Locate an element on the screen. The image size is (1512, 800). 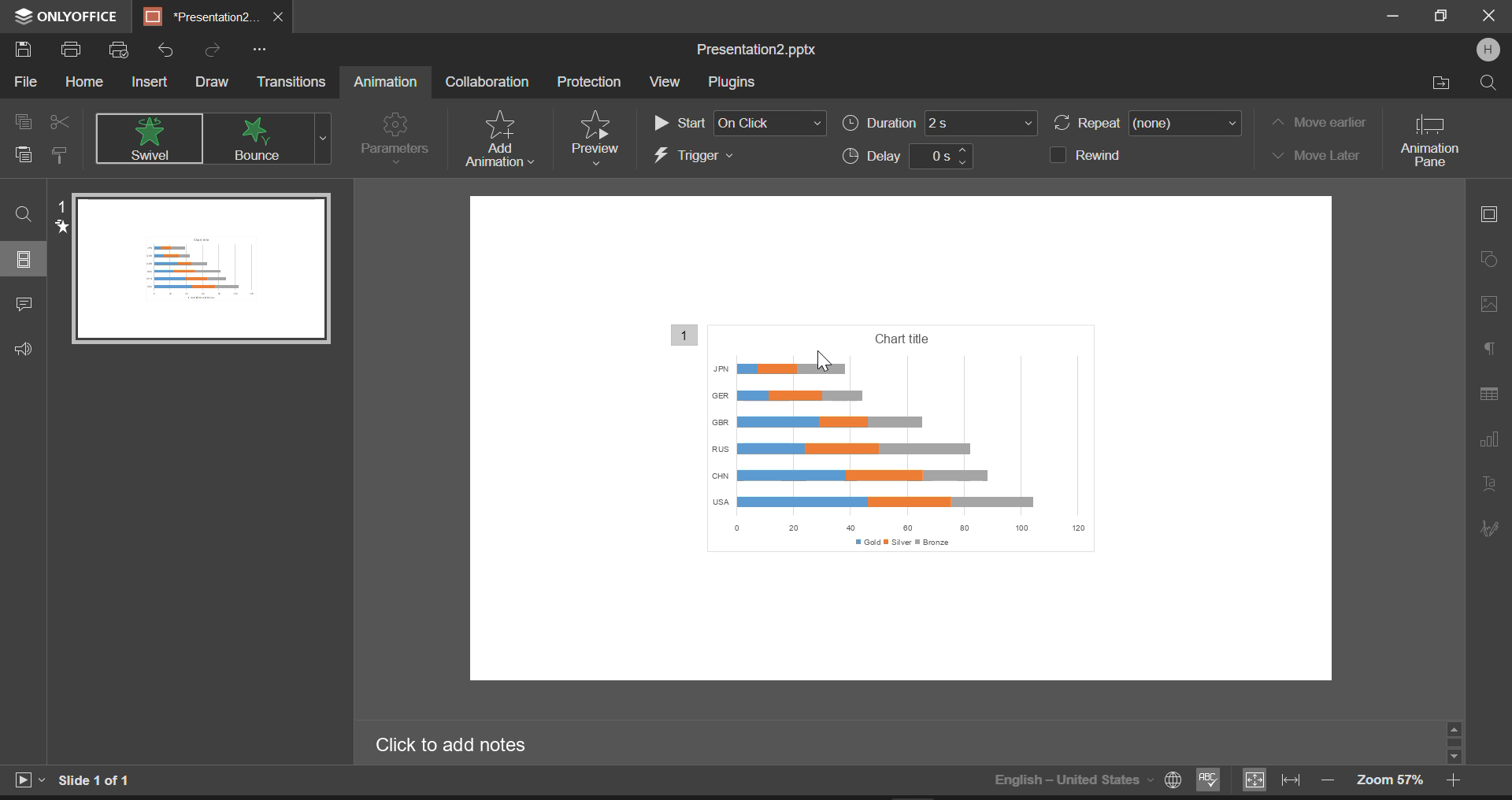
Paragraph Settings is located at coordinates (1489, 345).